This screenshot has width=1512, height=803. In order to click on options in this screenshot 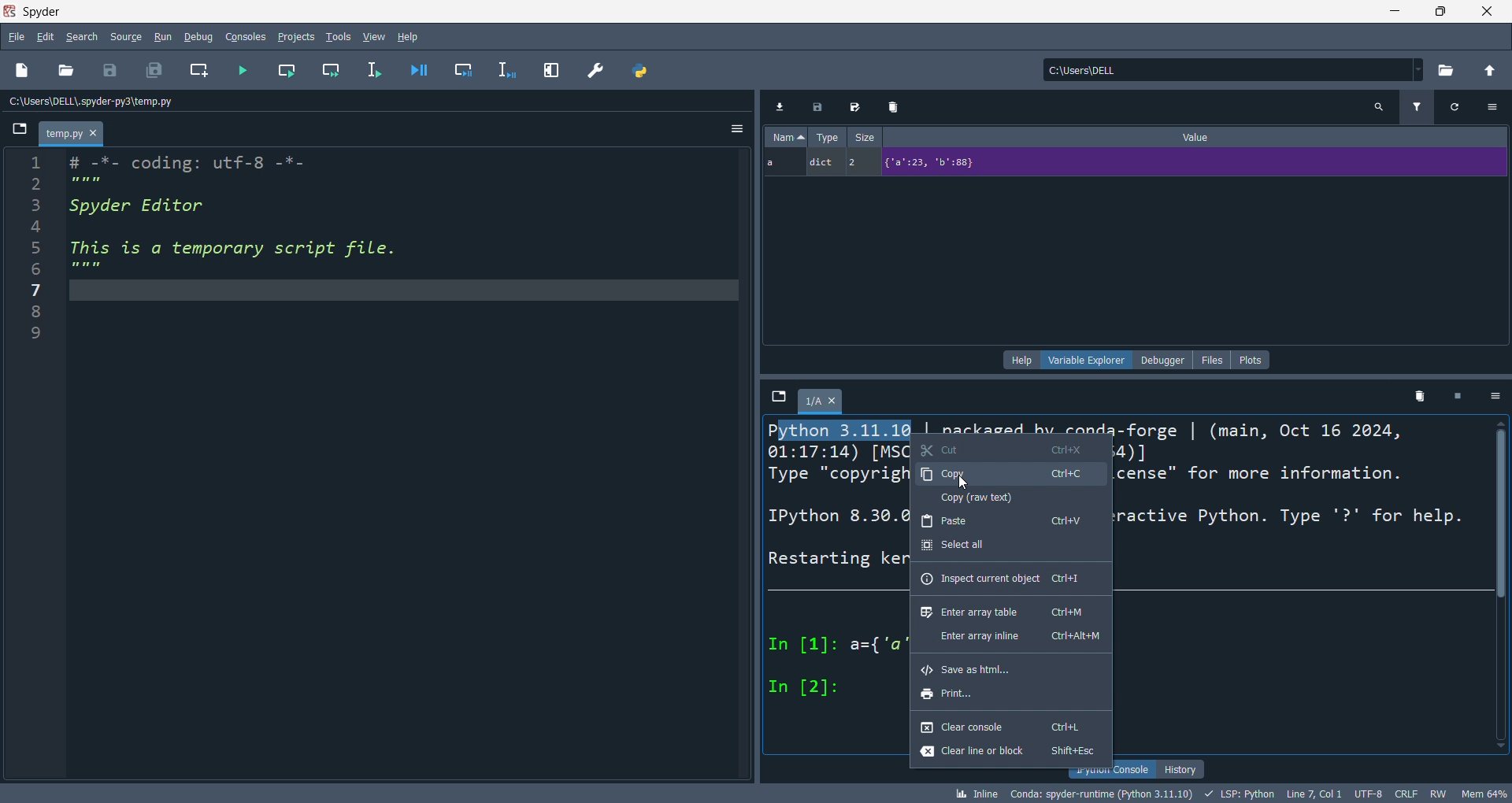, I will do `click(1498, 397)`.